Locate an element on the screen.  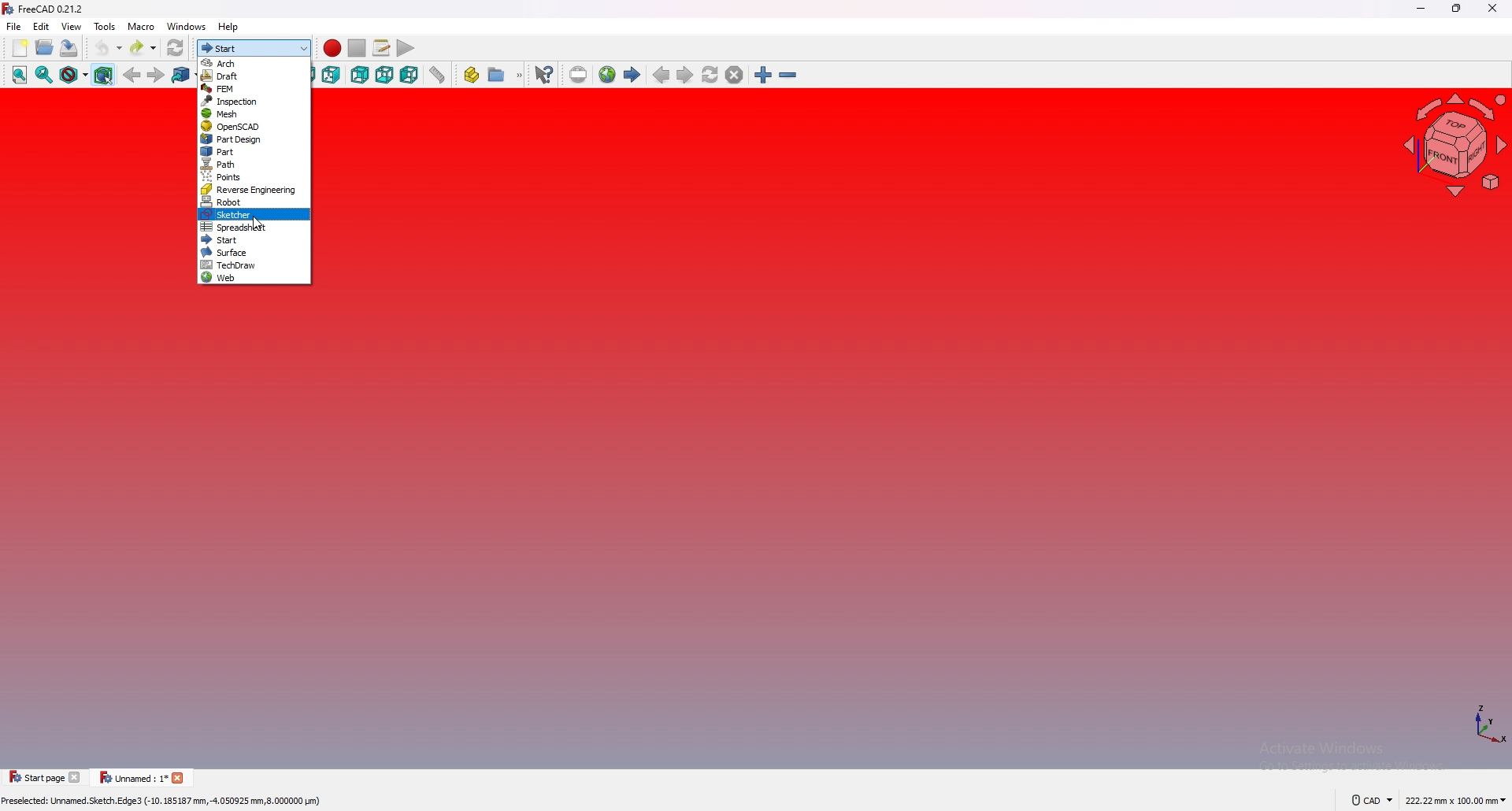
techdraw is located at coordinates (255, 264).